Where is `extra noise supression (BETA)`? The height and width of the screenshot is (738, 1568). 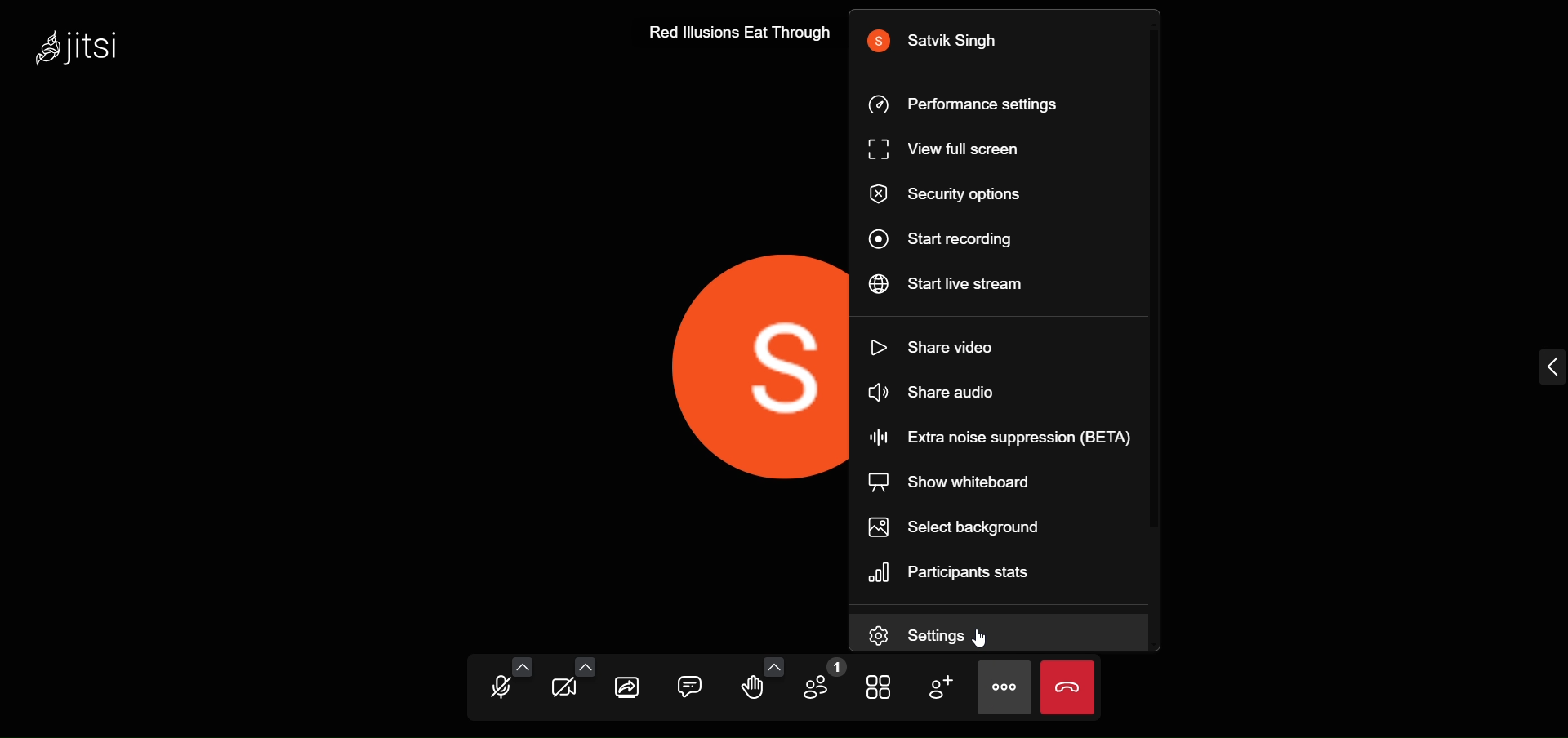
extra noise supression (BETA) is located at coordinates (1000, 436).